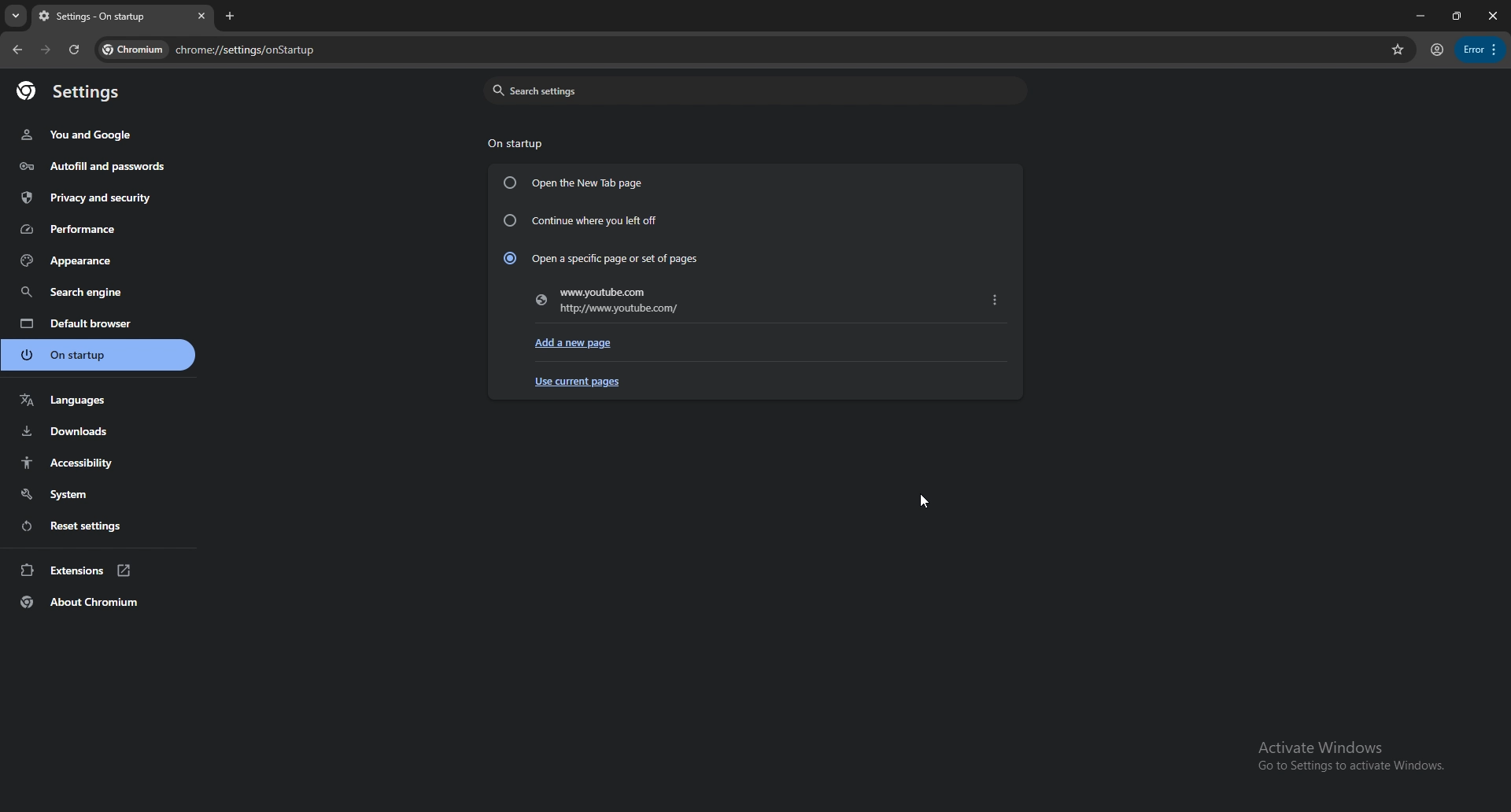 This screenshot has height=812, width=1511. I want to click on website url, so click(607, 304).